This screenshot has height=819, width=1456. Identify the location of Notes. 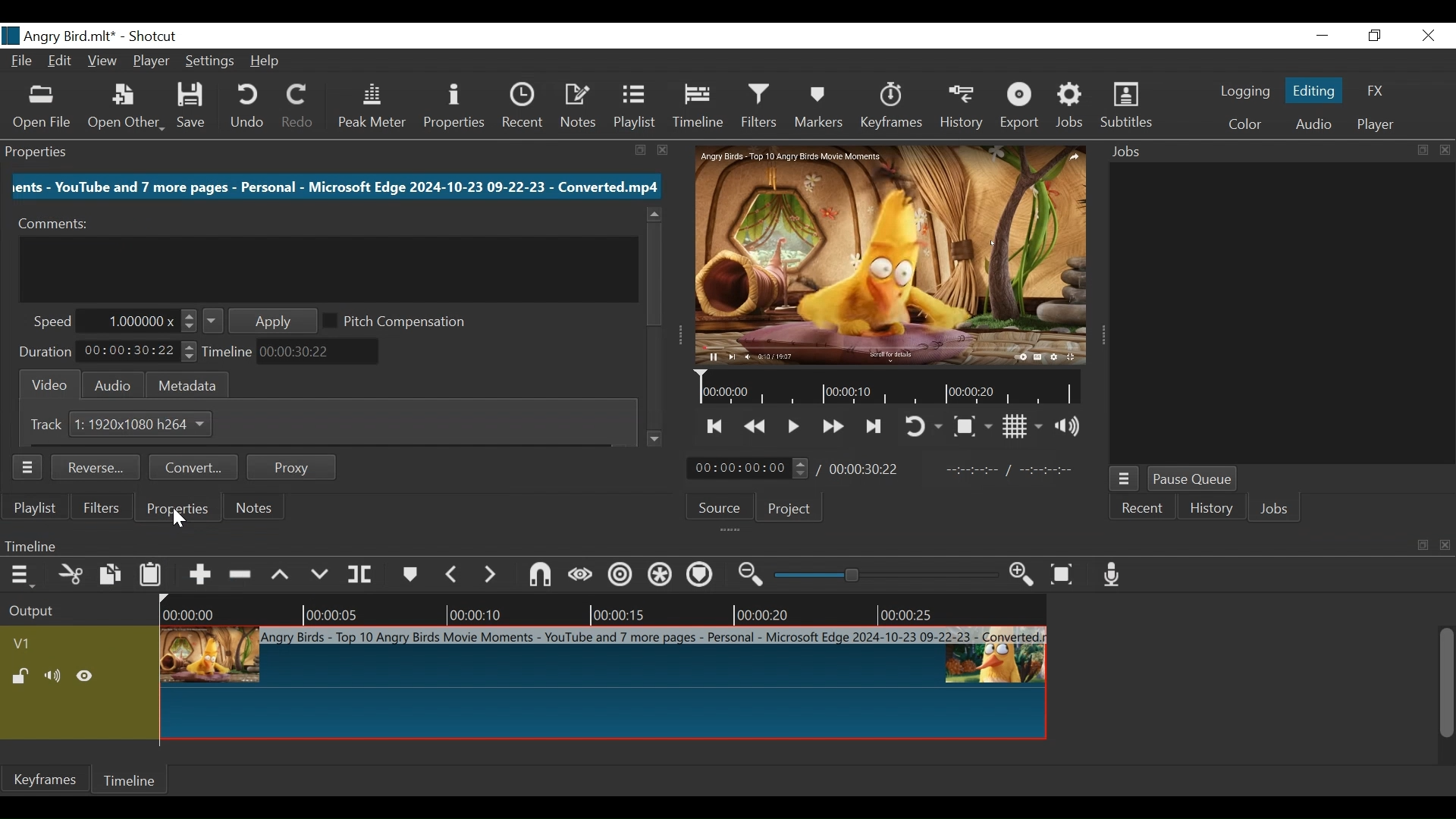
(256, 507).